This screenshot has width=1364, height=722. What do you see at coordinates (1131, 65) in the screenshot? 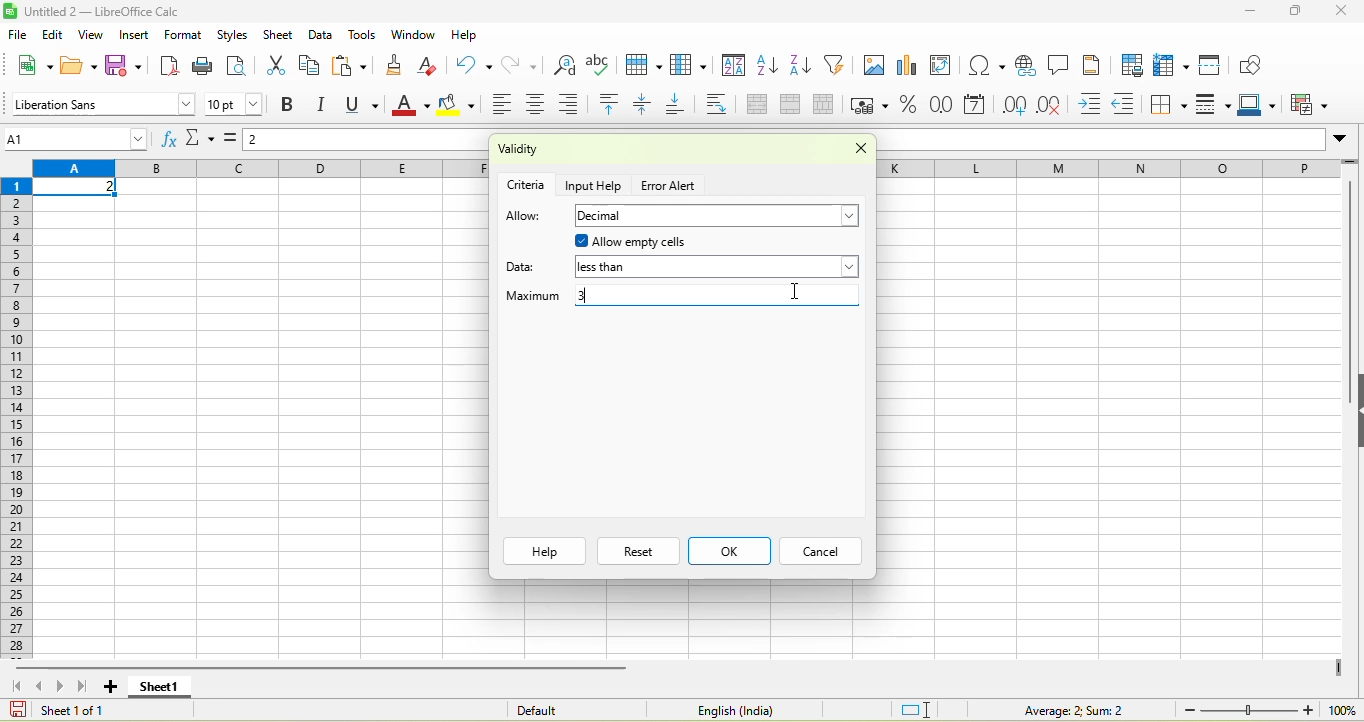
I see `define print area` at bounding box center [1131, 65].